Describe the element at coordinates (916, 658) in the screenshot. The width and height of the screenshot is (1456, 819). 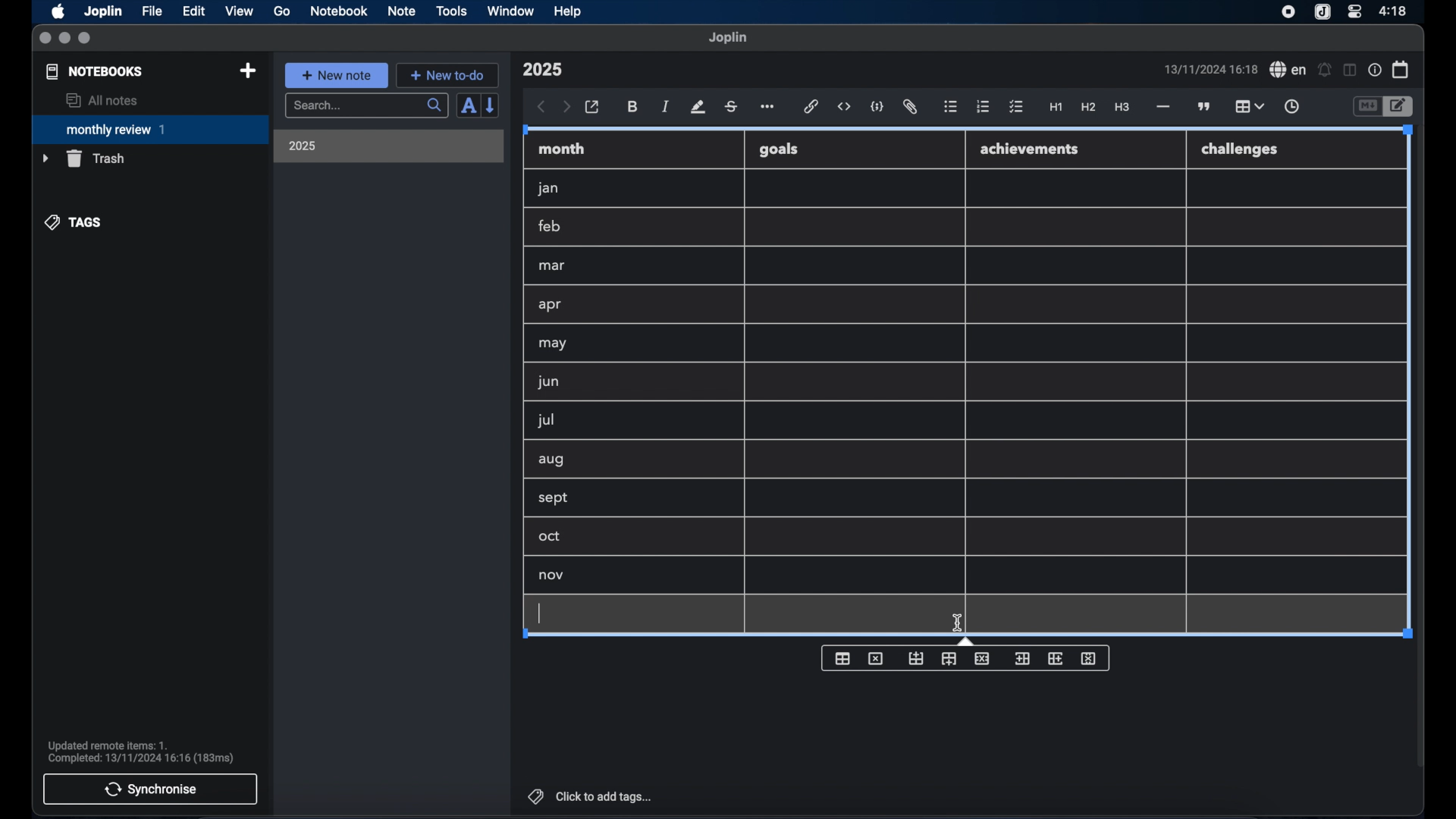
I see `insert row before` at that location.